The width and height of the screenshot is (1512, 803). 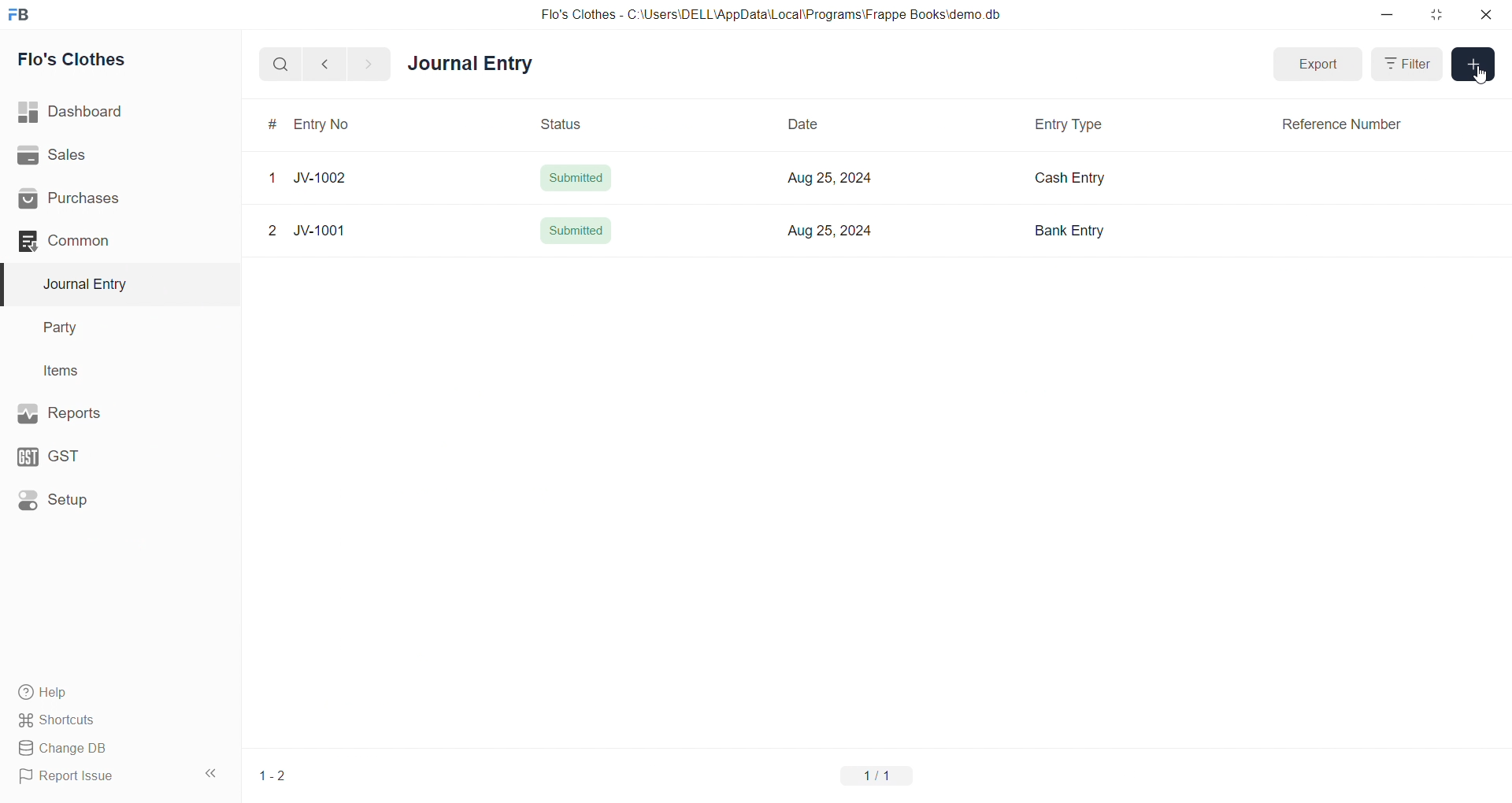 I want to click on Flo's Clothes, so click(x=113, y=60).